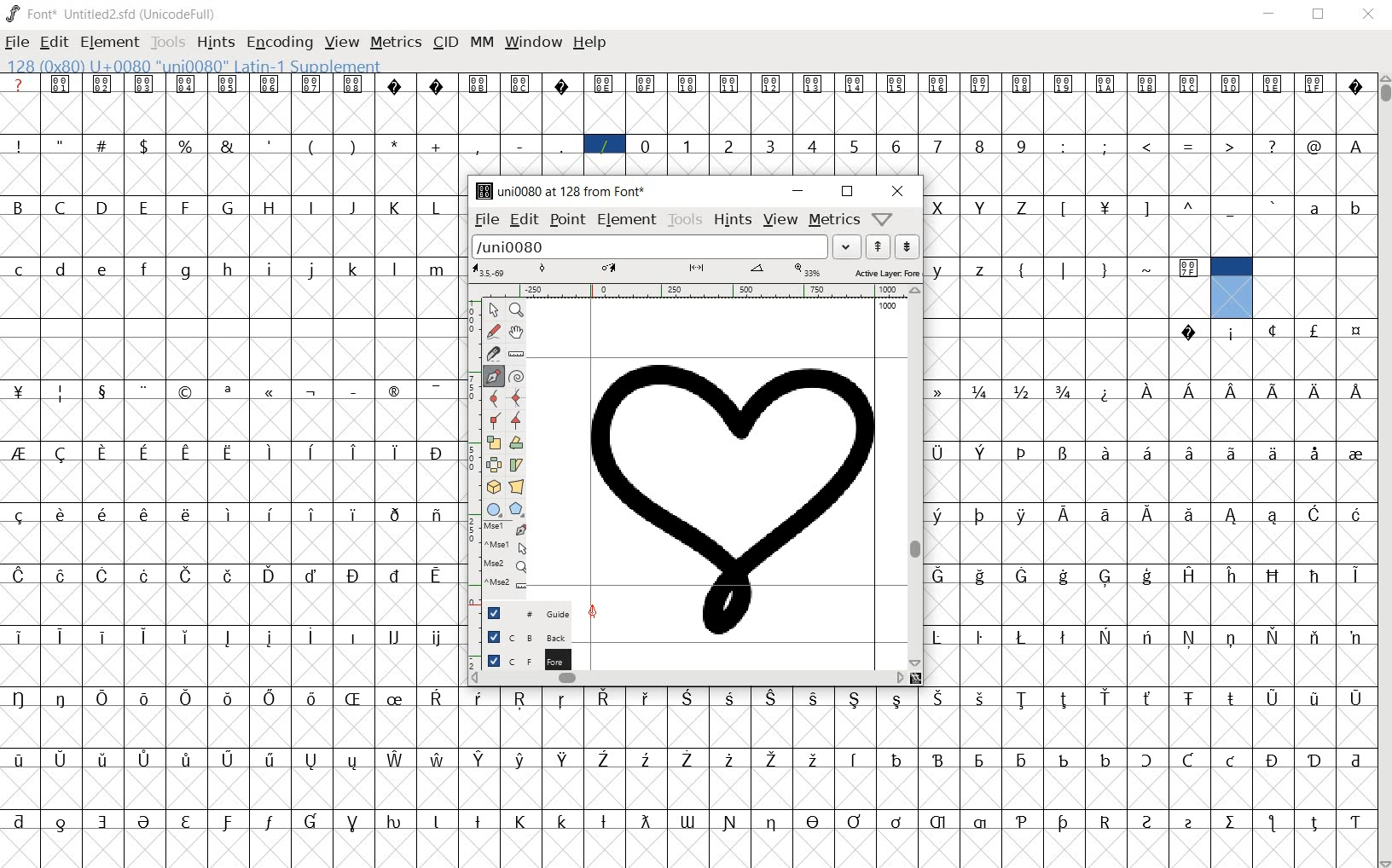  Describe the element at coordinates (1190, 453) in the screenshot. I see `glyph` at that location.